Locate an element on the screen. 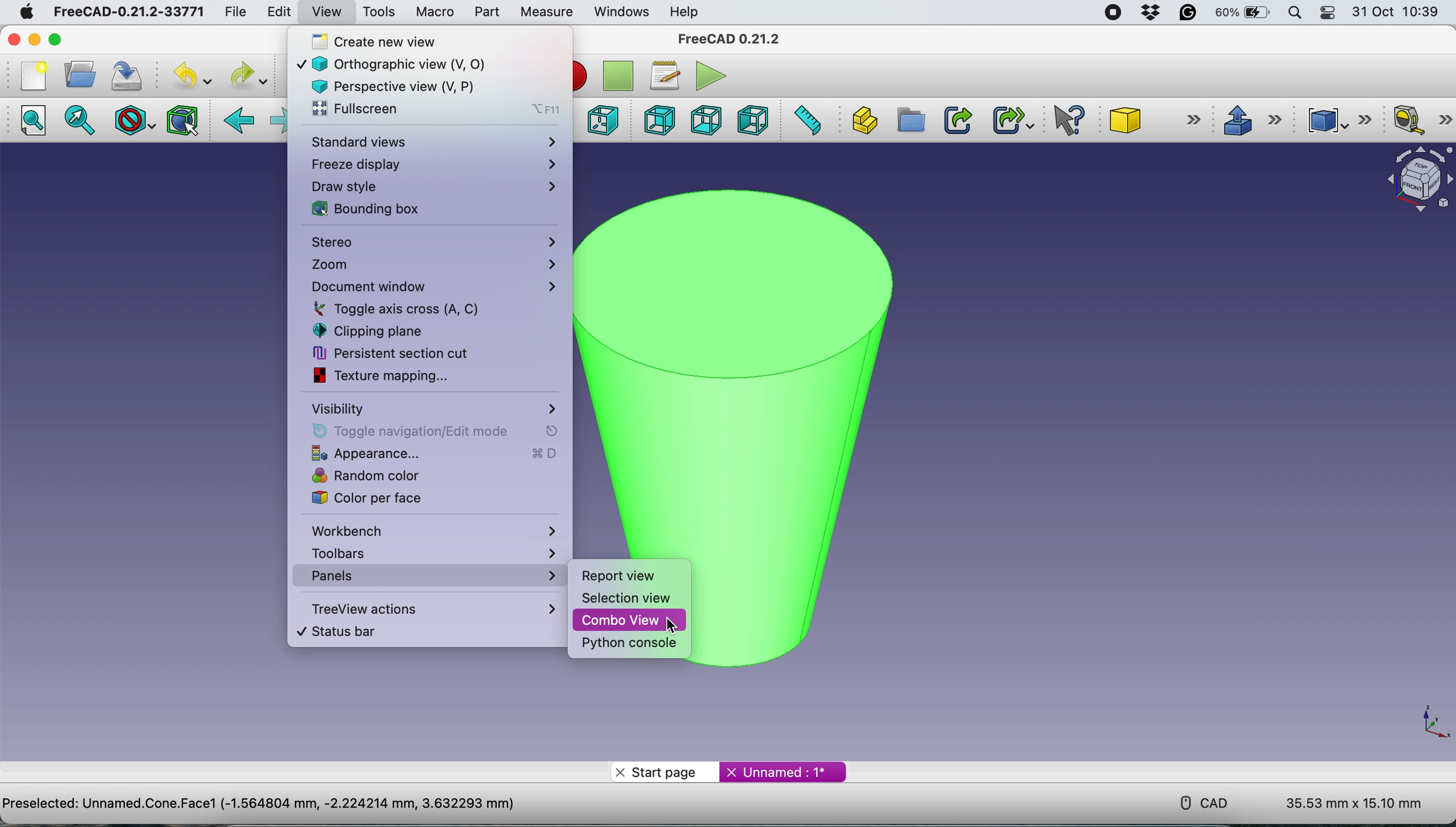 This screenshot has height=827, width=1456. mesure linear is located at coordinates (1418, 122).